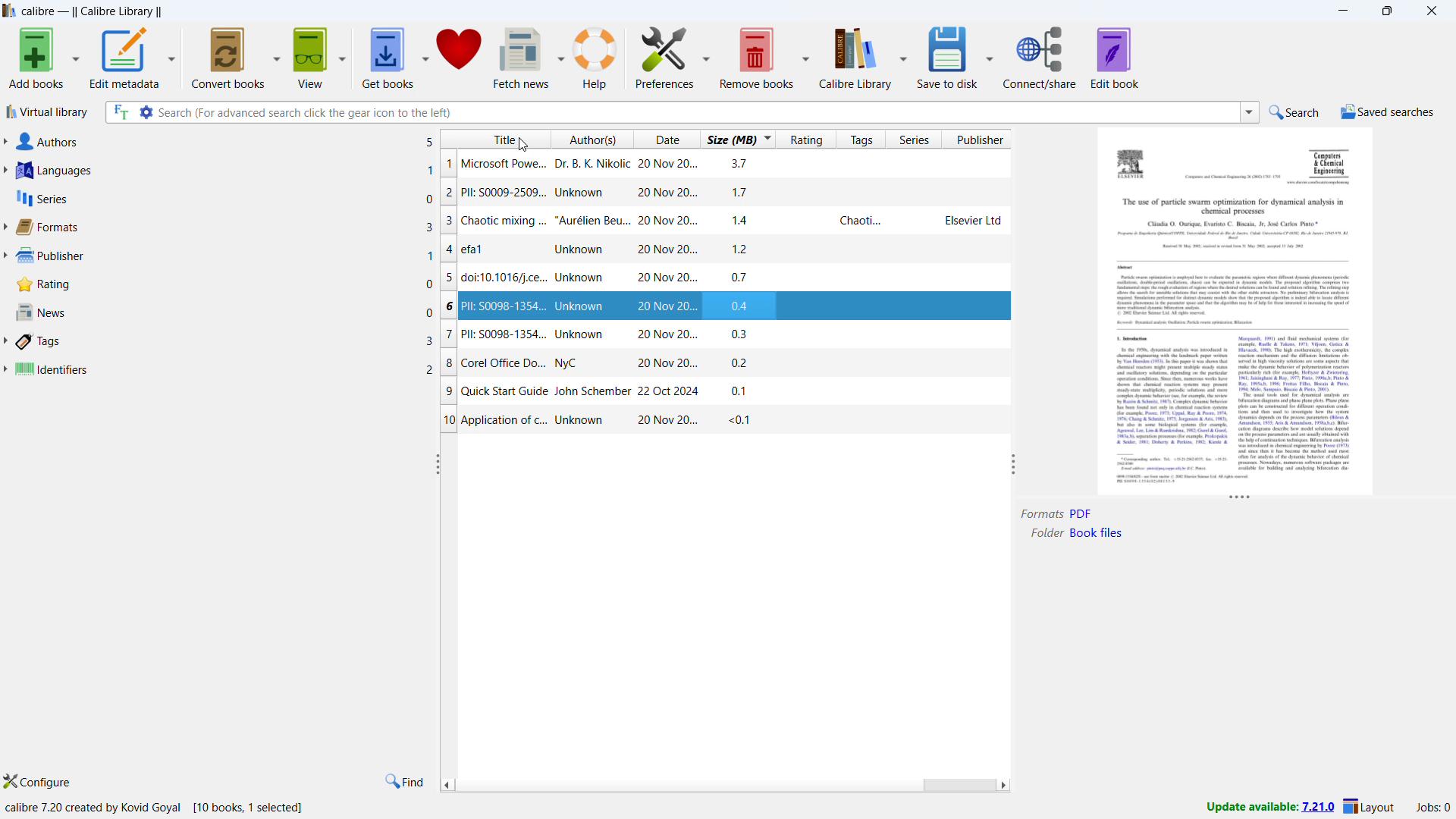 The height and width of the screenshot is (819, 1456). What do you see at coordinates (224, 197) in the screenshot?
I see `series` at bounding box center [224, 197].